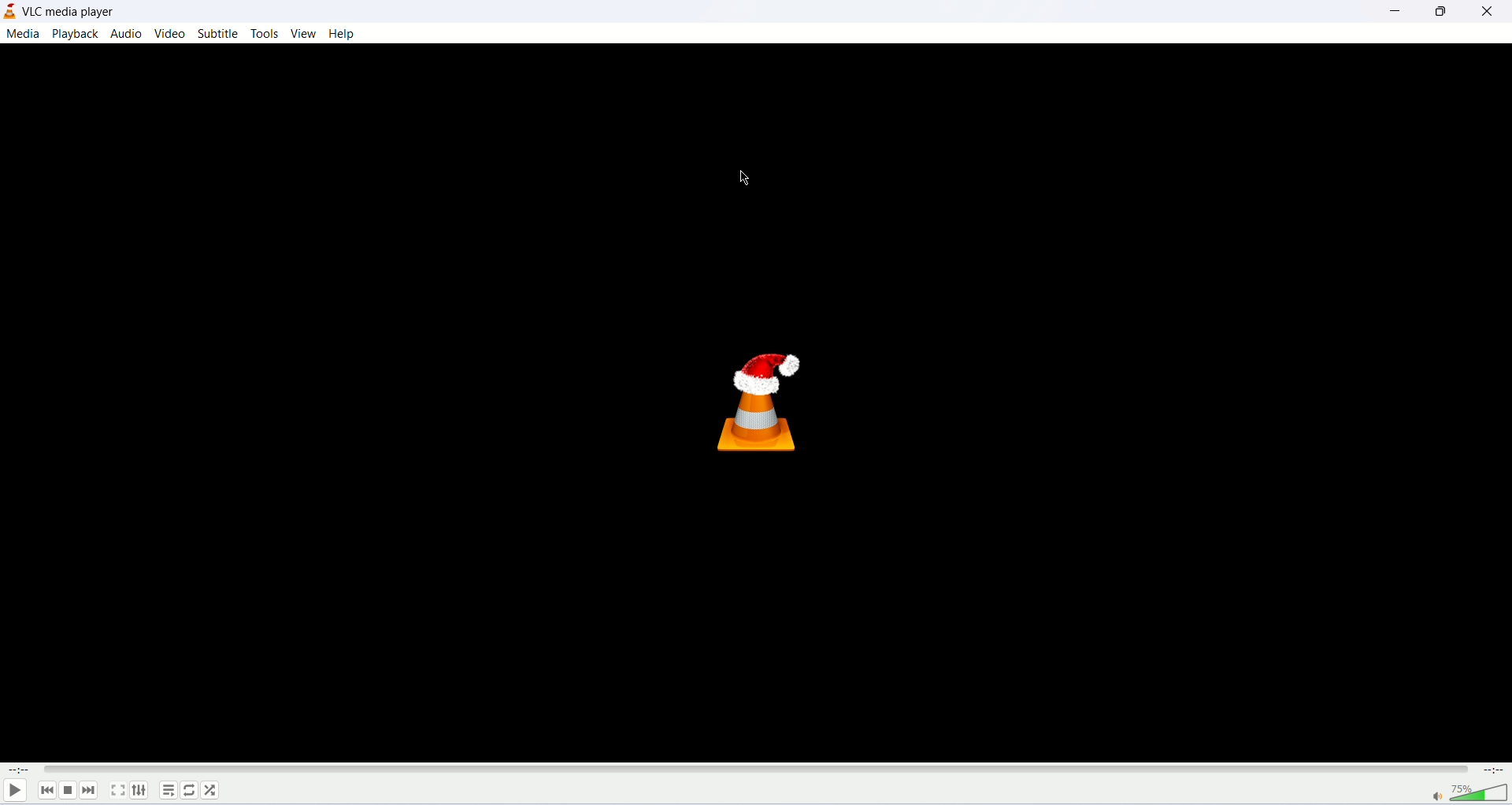 The width and height of the screenshot is (1512, 805). I want to click on total time, so click(1494, 769).